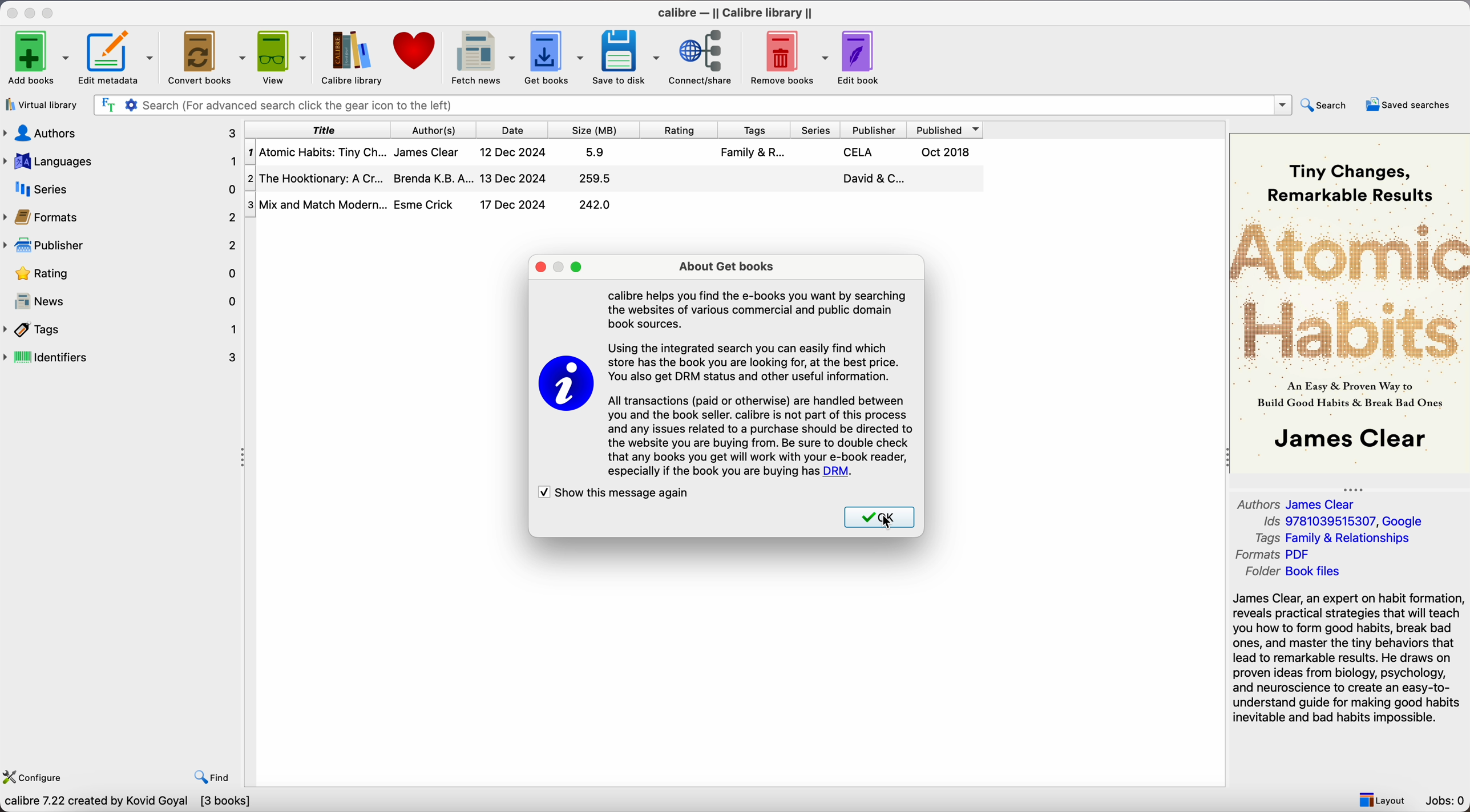 Image resolution: width=1470 pixels, height=812 pixels. I want to click on James Clear, so click(426, 152).